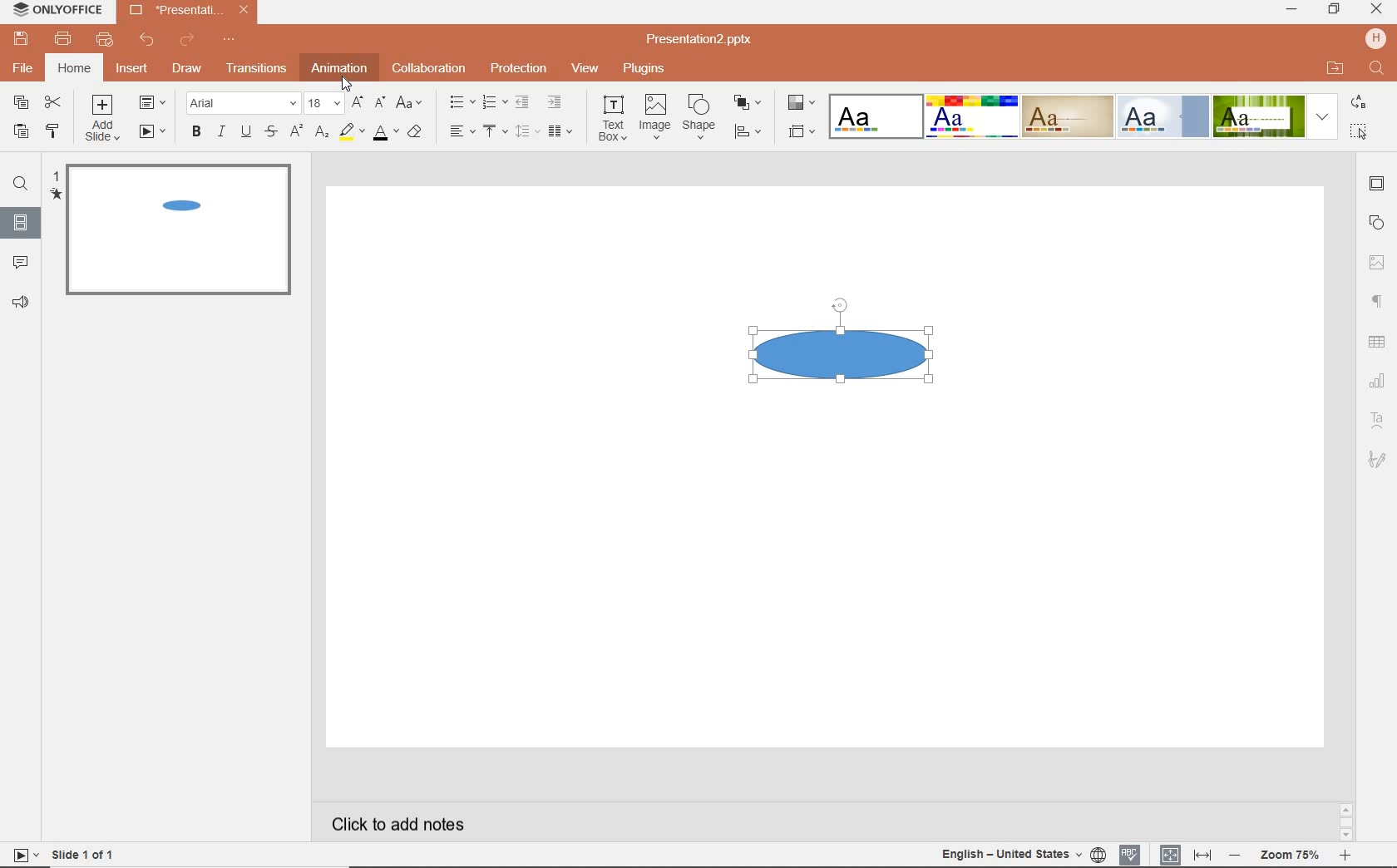 Image resolution: width=1397 pixels, height=868 pixels. I want to click on HORIZONTAL ALIG, so click(462, 131).